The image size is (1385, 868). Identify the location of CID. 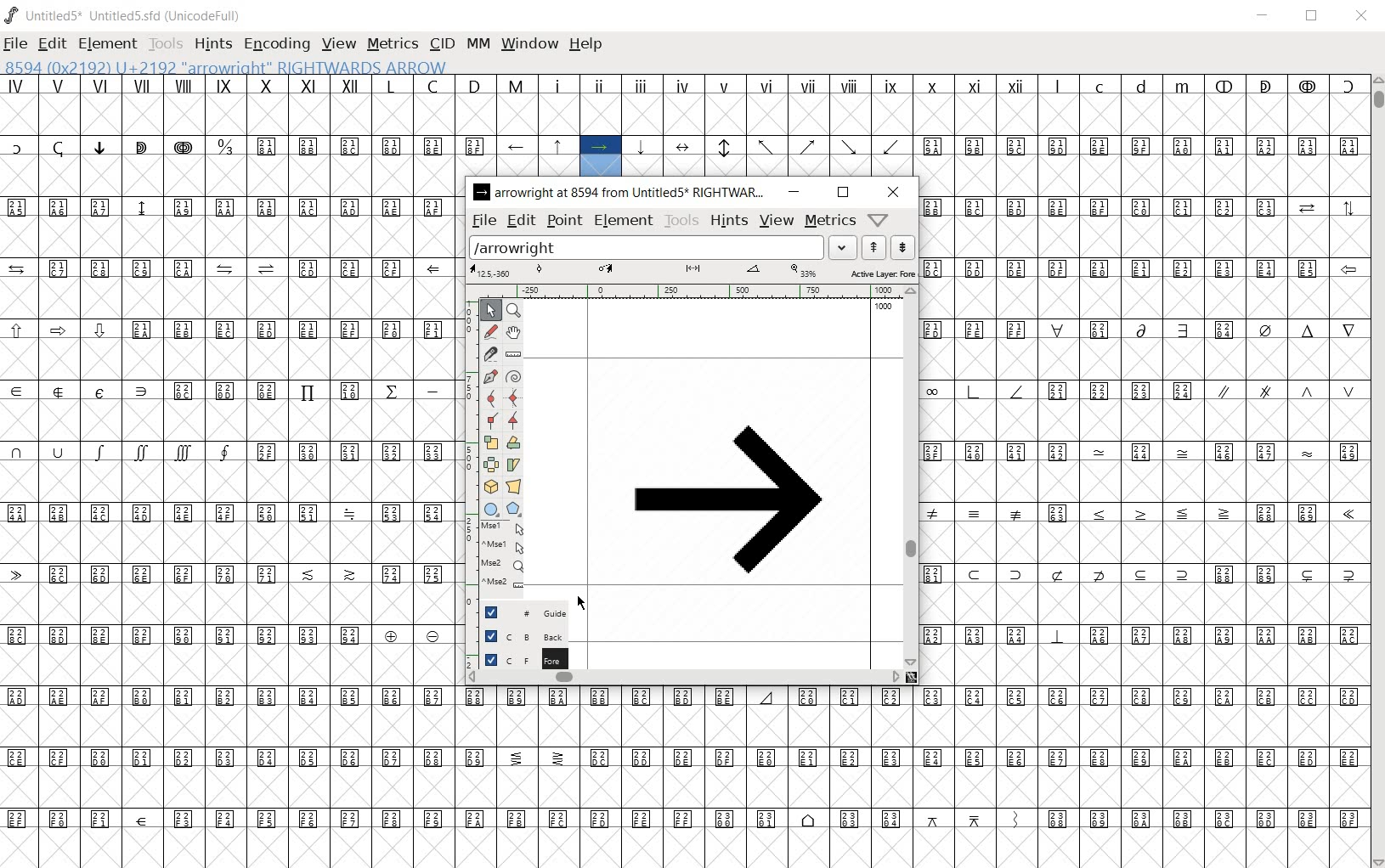
(442, 44).